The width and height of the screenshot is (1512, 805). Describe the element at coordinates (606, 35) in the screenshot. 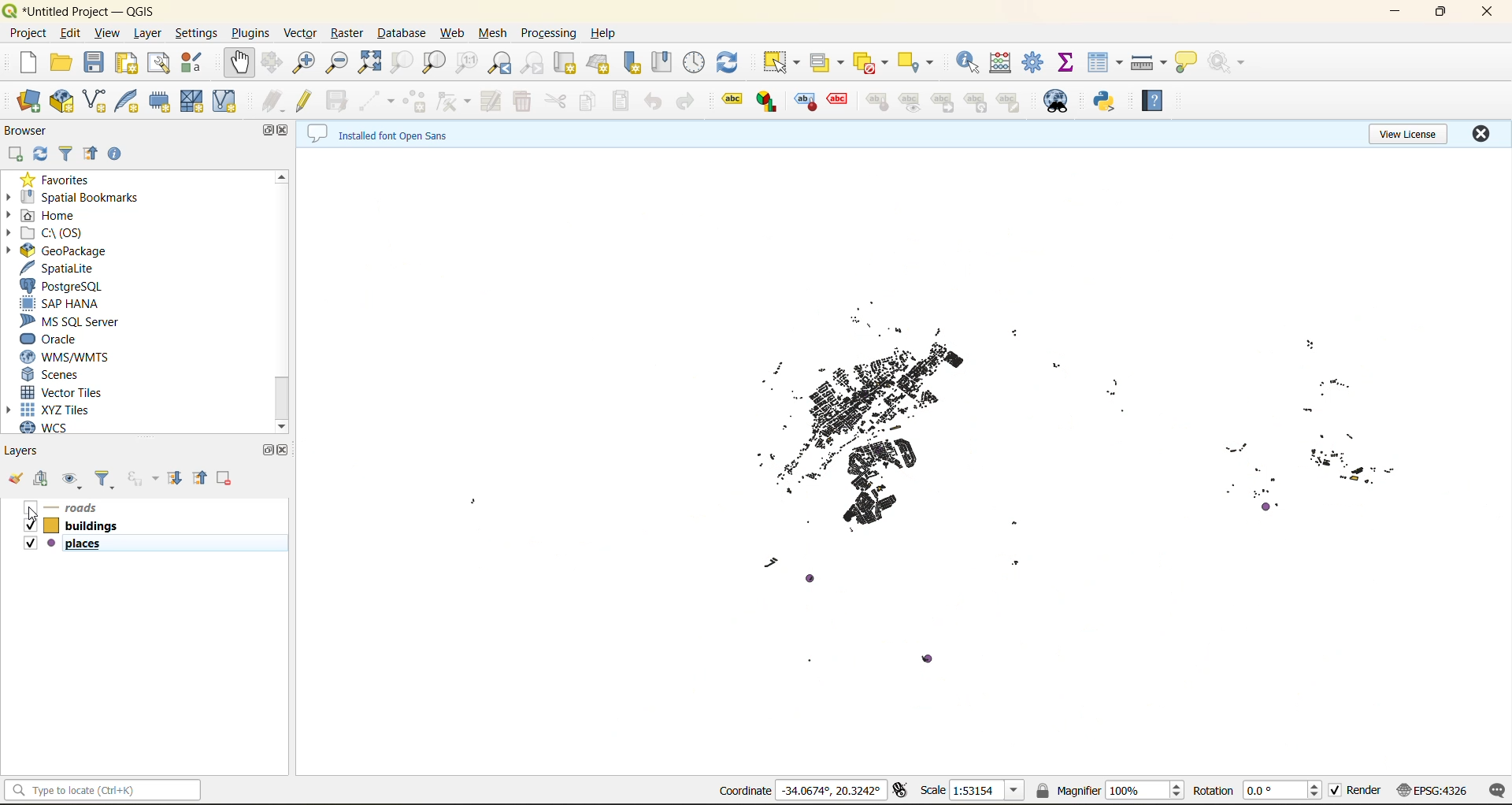

I see `help` at that location.